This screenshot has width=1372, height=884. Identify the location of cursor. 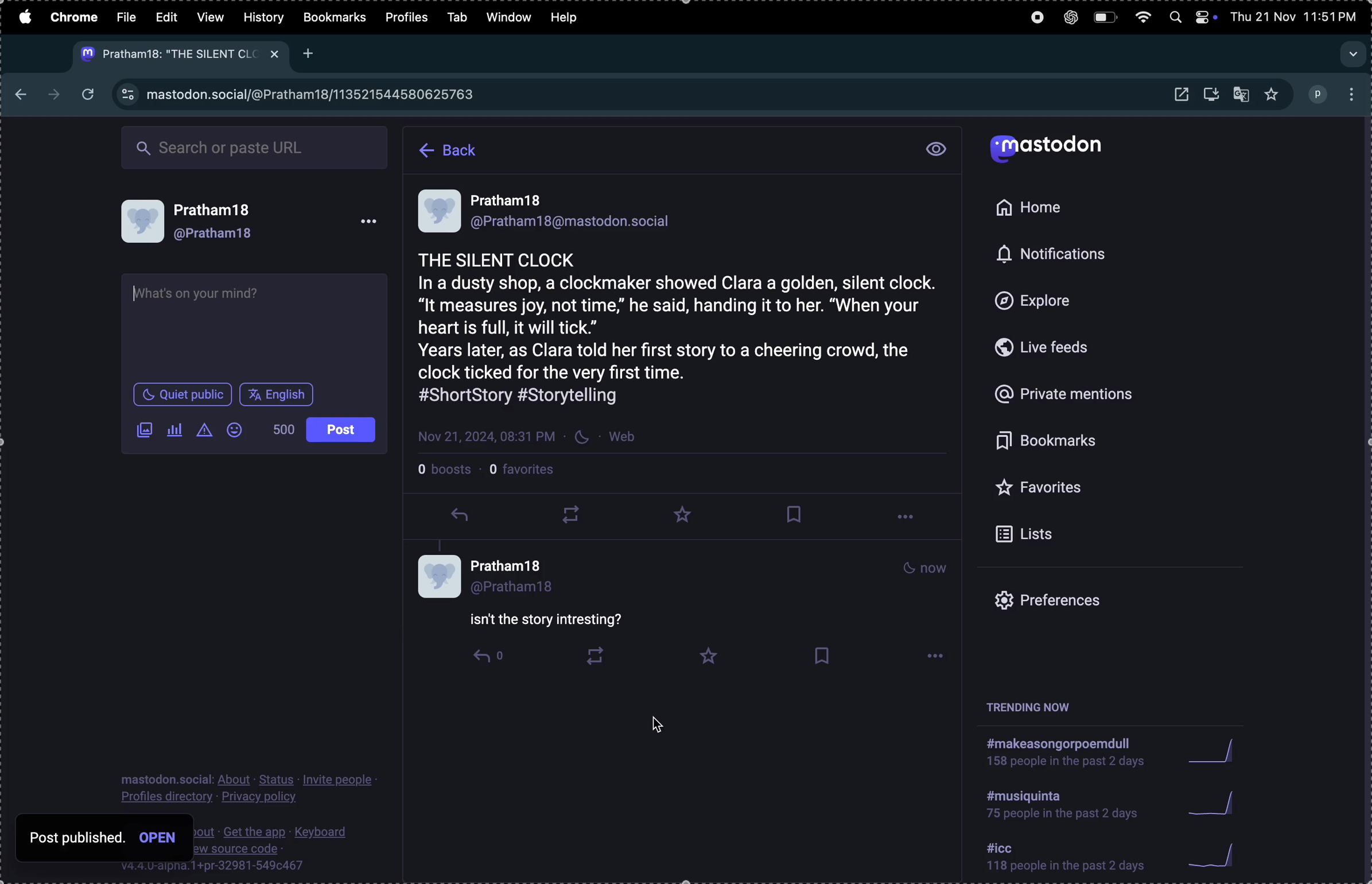
(663, 725).